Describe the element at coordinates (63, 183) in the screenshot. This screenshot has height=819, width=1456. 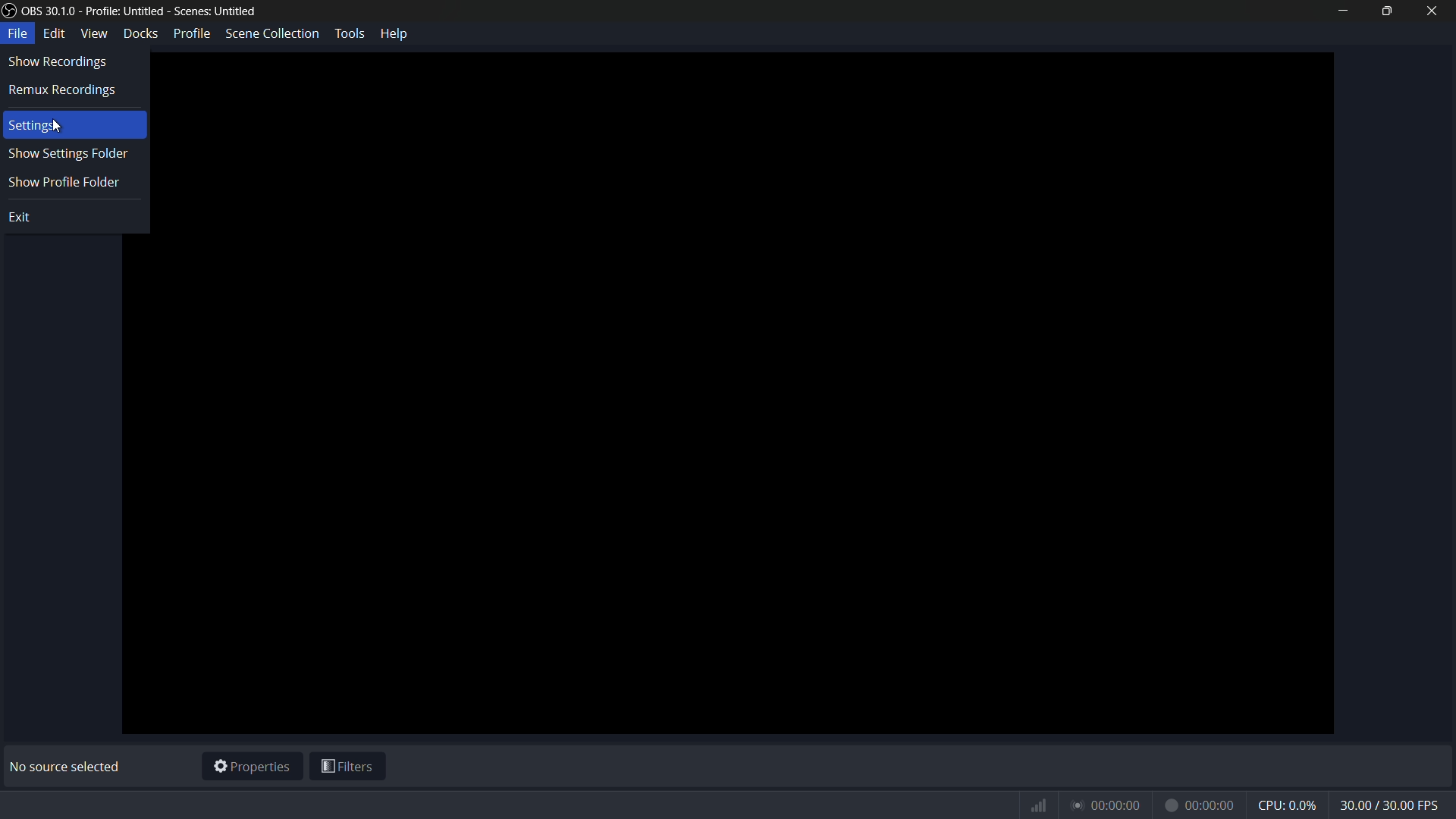
I see `show profile folder` at that location.